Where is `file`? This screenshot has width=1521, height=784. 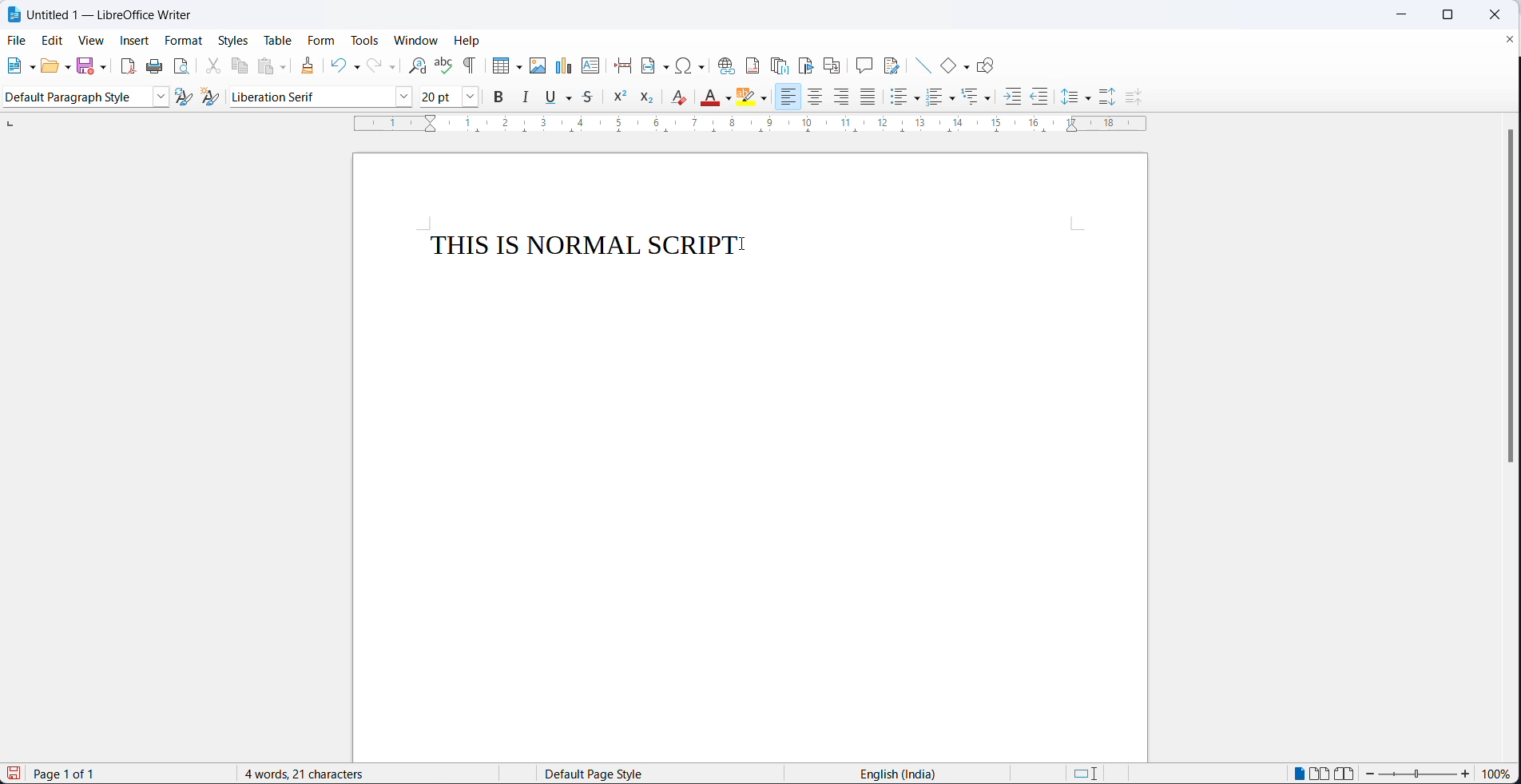 file is located at coordinates (18, 40).